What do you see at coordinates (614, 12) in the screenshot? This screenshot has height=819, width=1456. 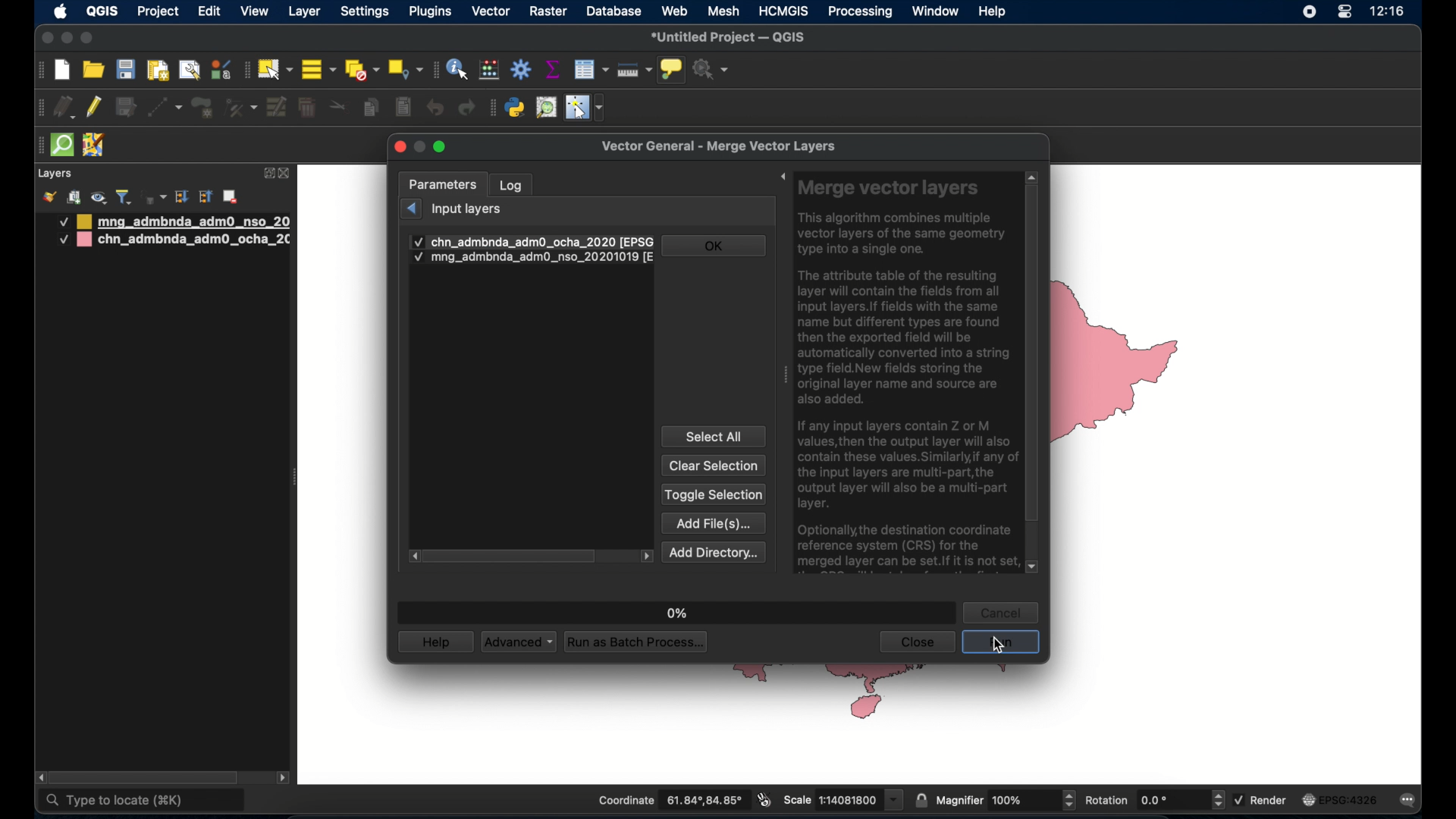 I see `database` at bounding box center [614, 12].